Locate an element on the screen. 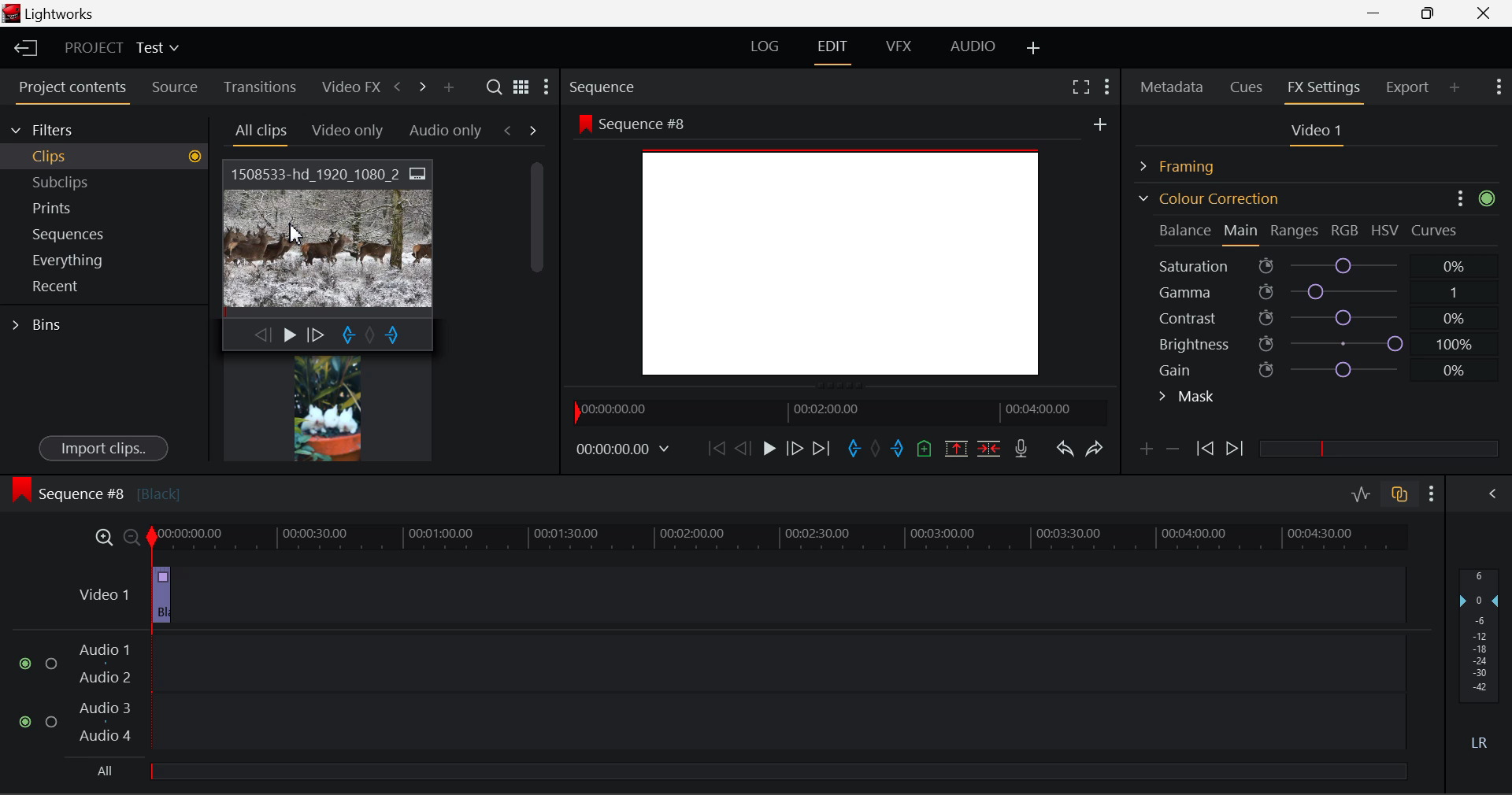  Curves is located at coordinates (1436, 230).